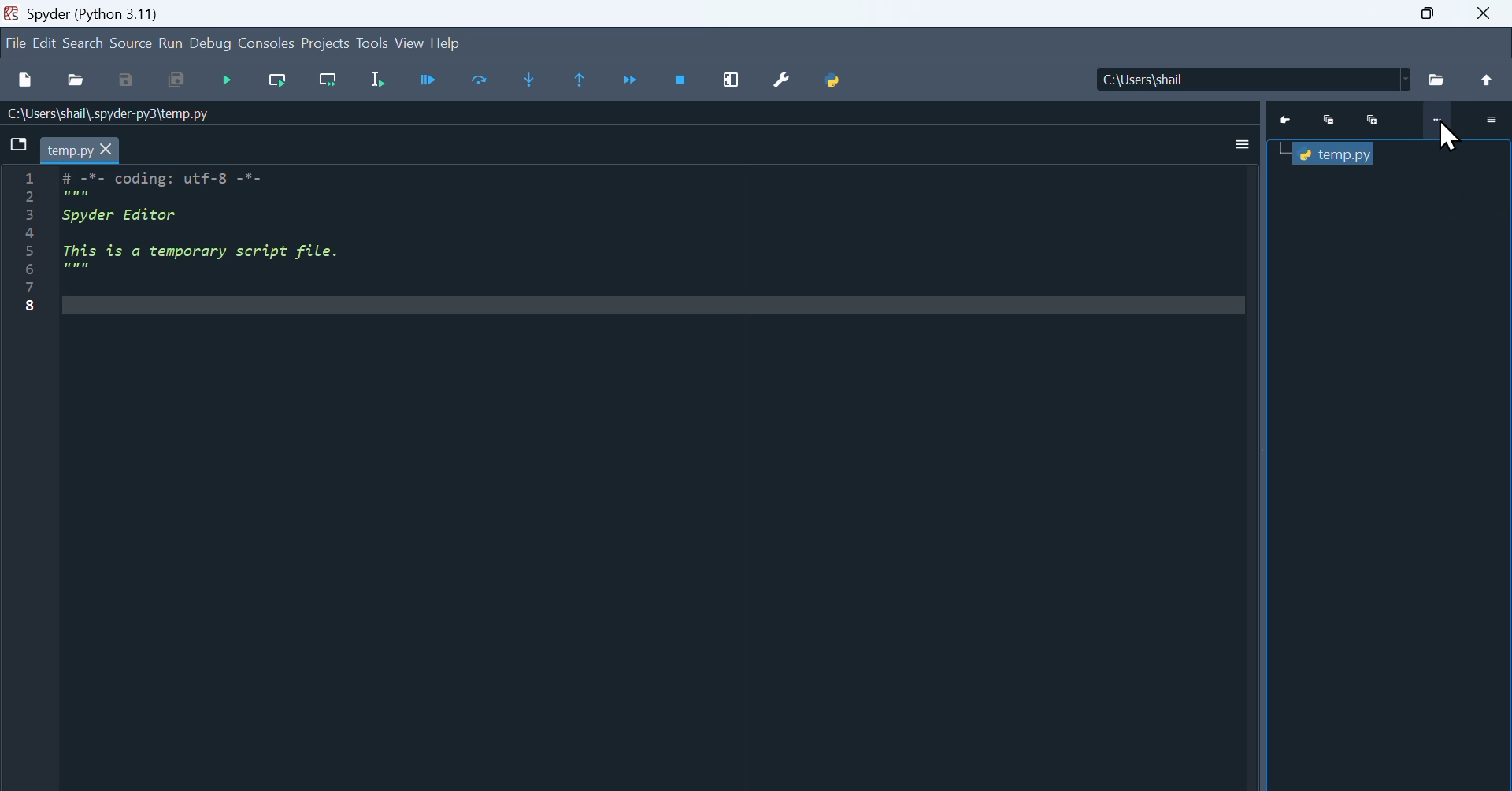 The height and width of the screenshot is (791, 1512). I want to click on search, so click(84, 44).